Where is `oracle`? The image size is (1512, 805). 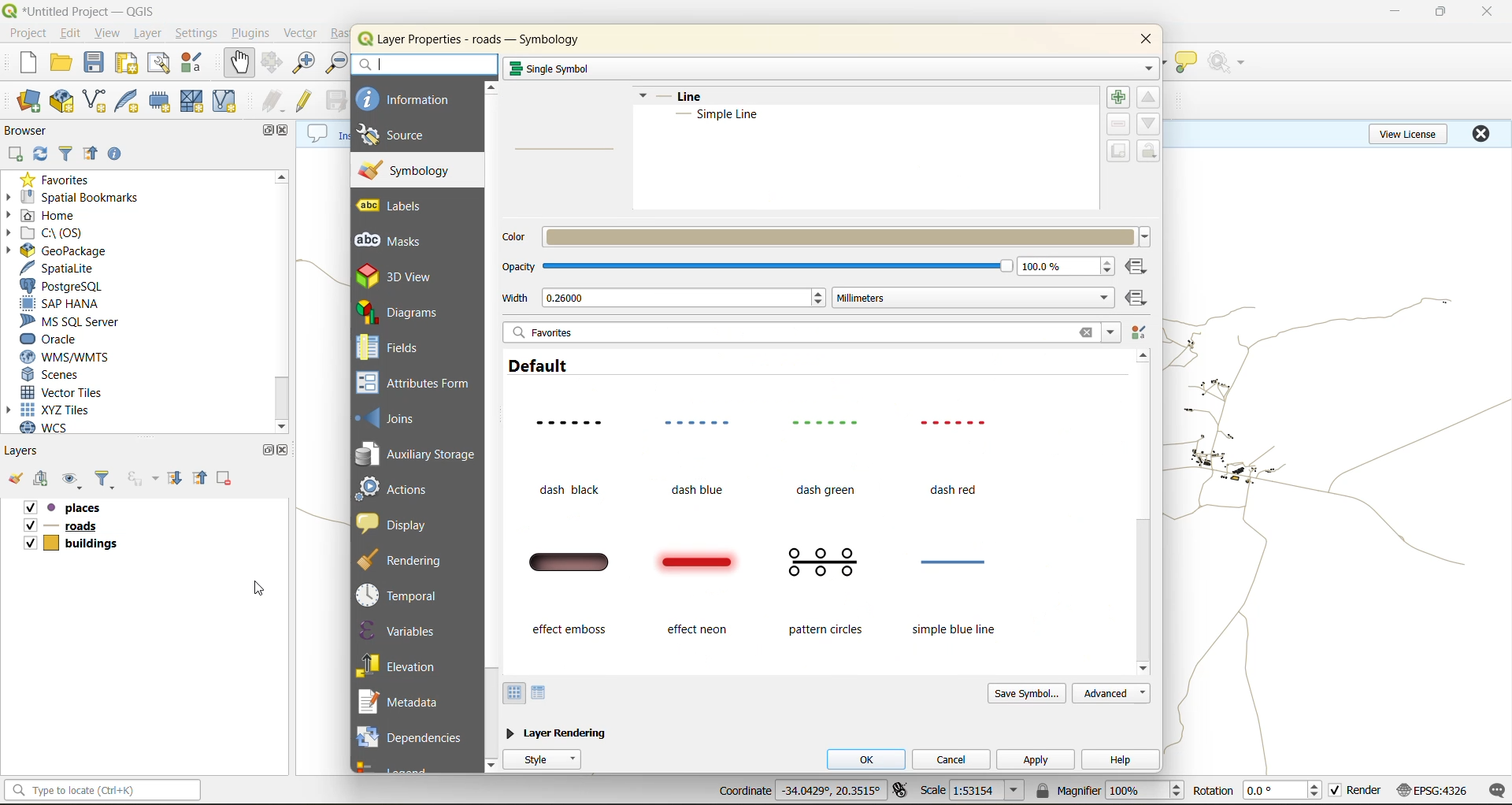
oracle is located at coordinates (60, 339).